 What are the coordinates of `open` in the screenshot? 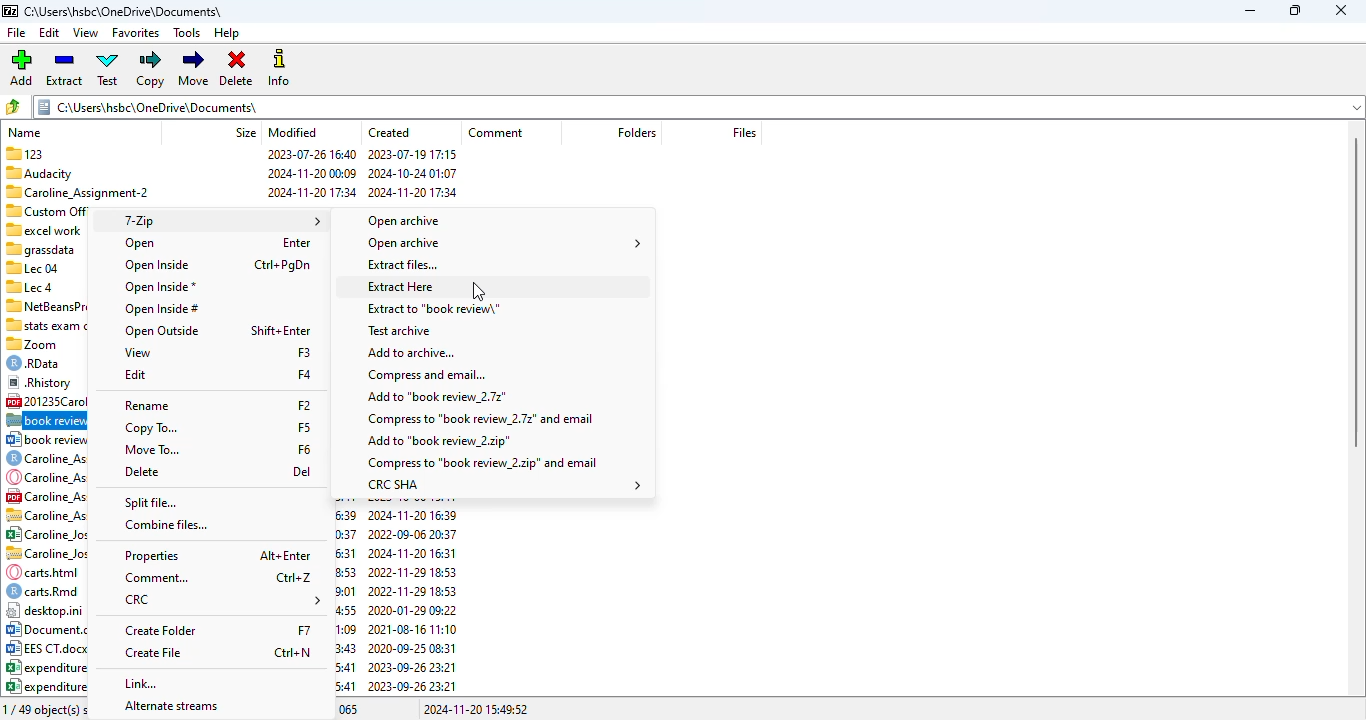 It's located at (140, 244).